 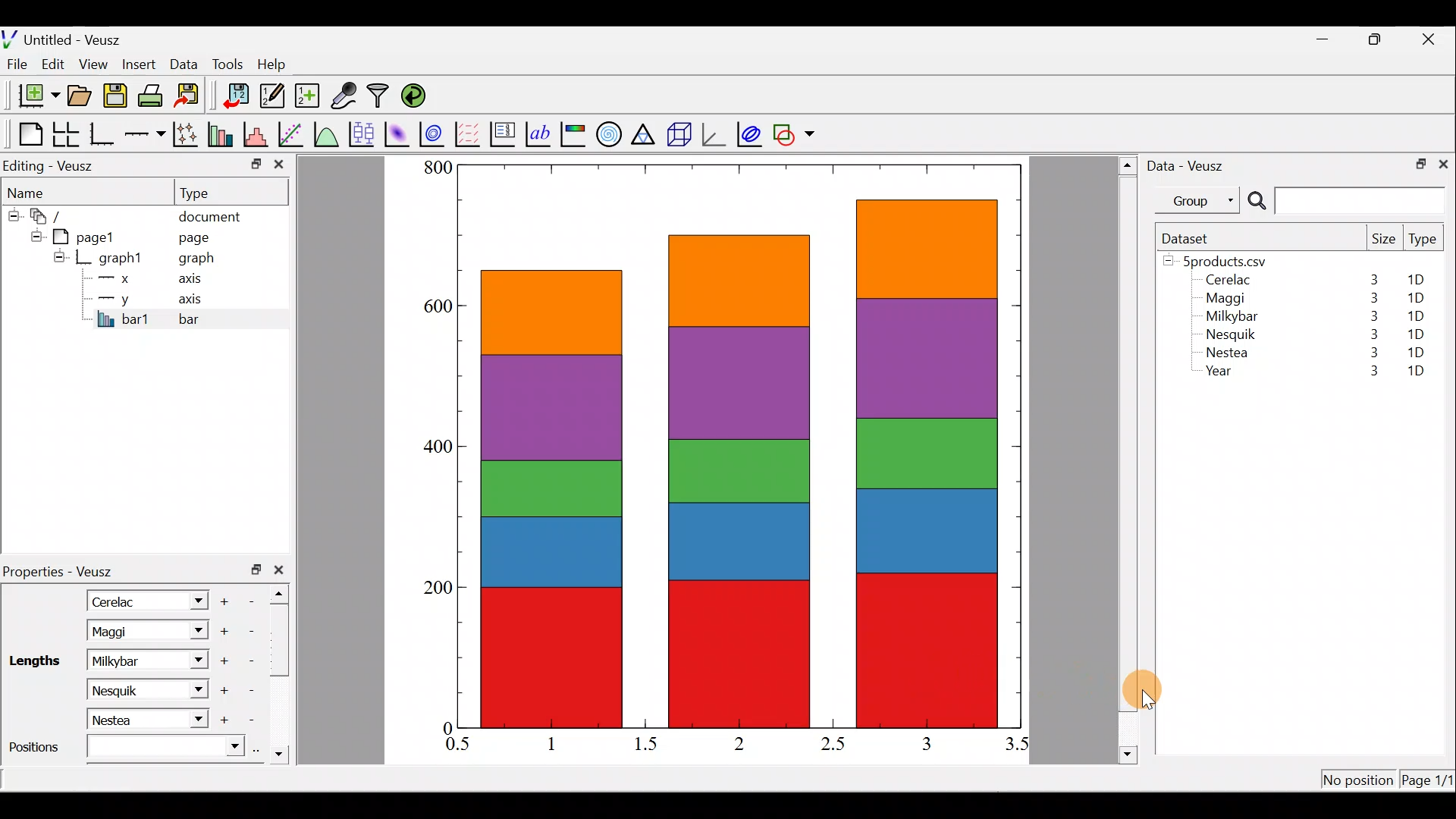 What do you see at coordinates (130, 660) in the screenshot?
I see `Milkybar` at bounding box center [130, 660].